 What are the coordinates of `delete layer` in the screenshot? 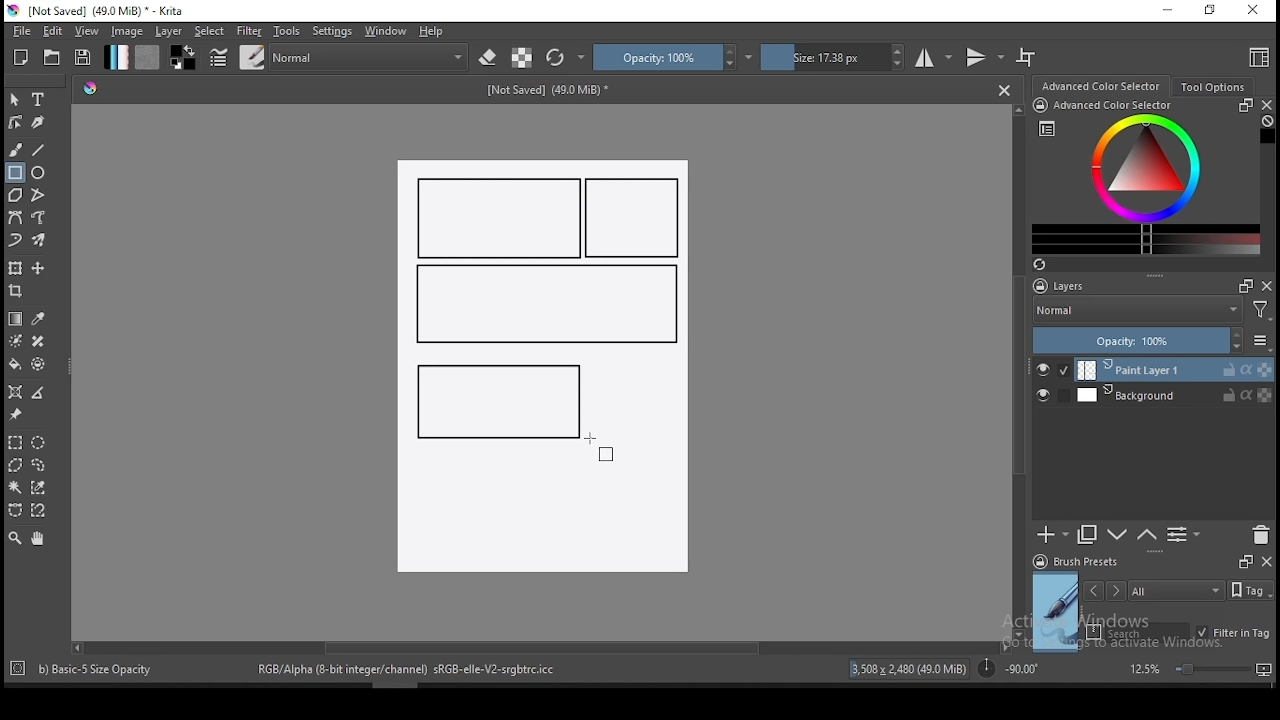 It's located at (1260, 536).